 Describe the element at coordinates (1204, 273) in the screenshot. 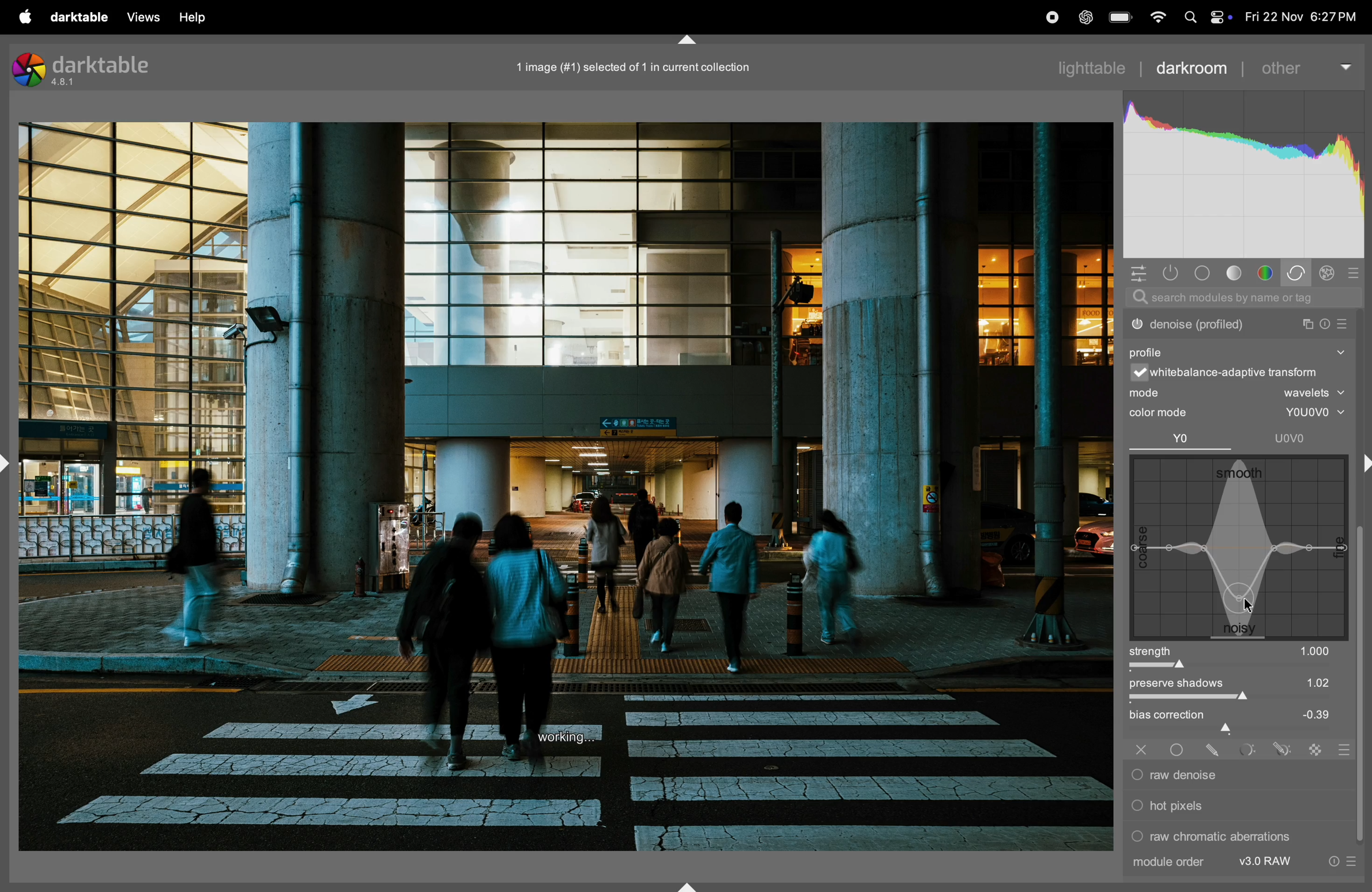

I see `tone` at that location.